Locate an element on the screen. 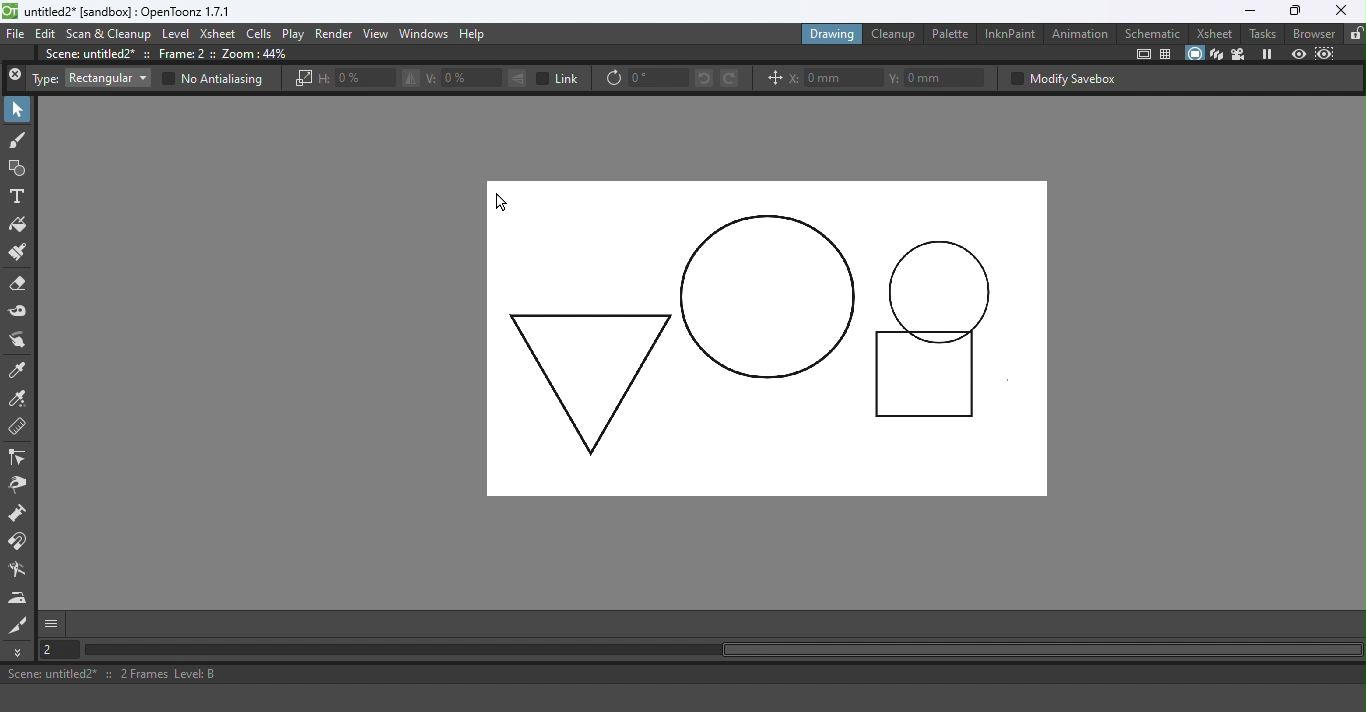  More tools is located at coordinates (20, 652).